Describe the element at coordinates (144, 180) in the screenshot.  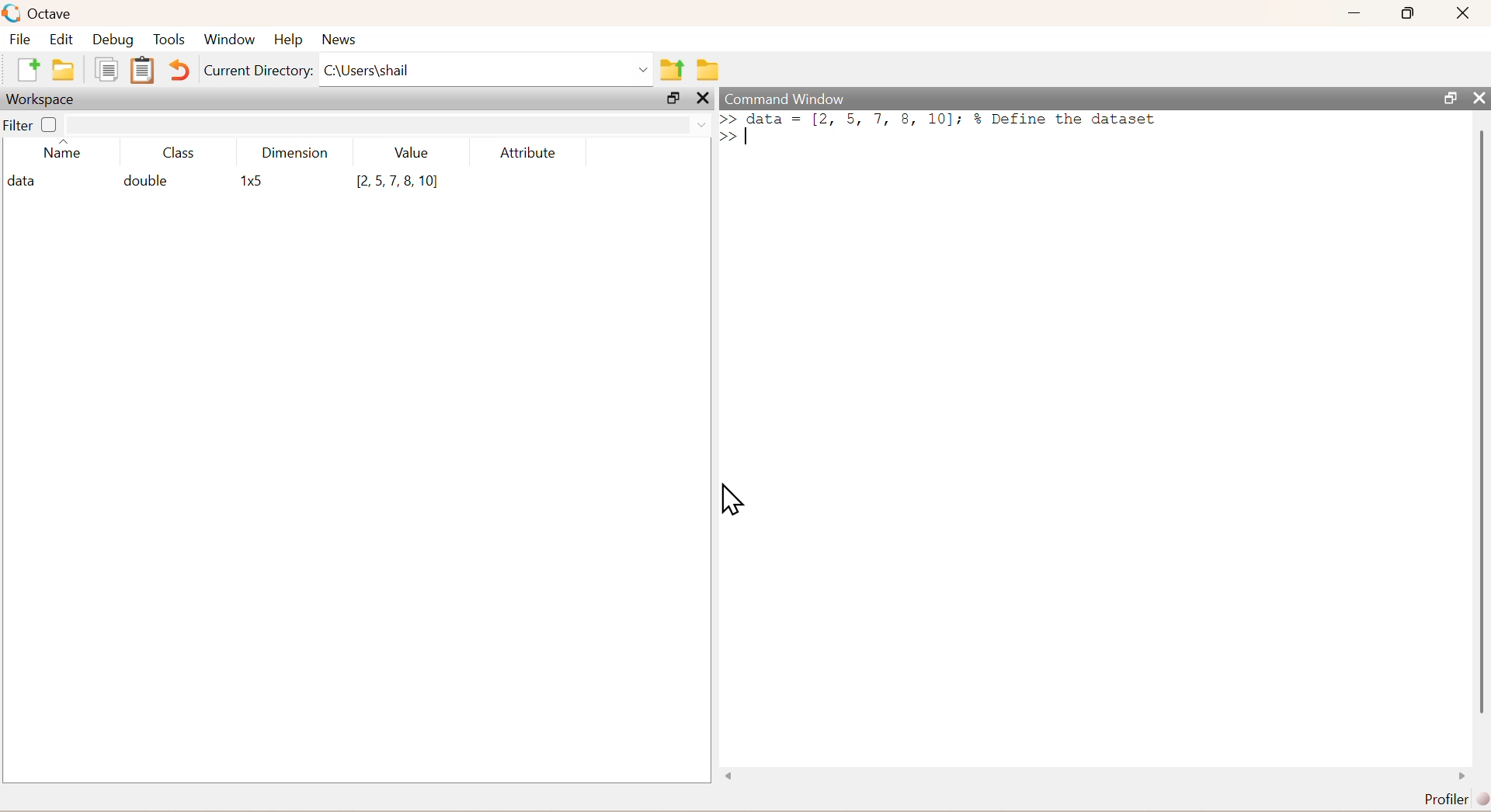
I see `double` at that location.